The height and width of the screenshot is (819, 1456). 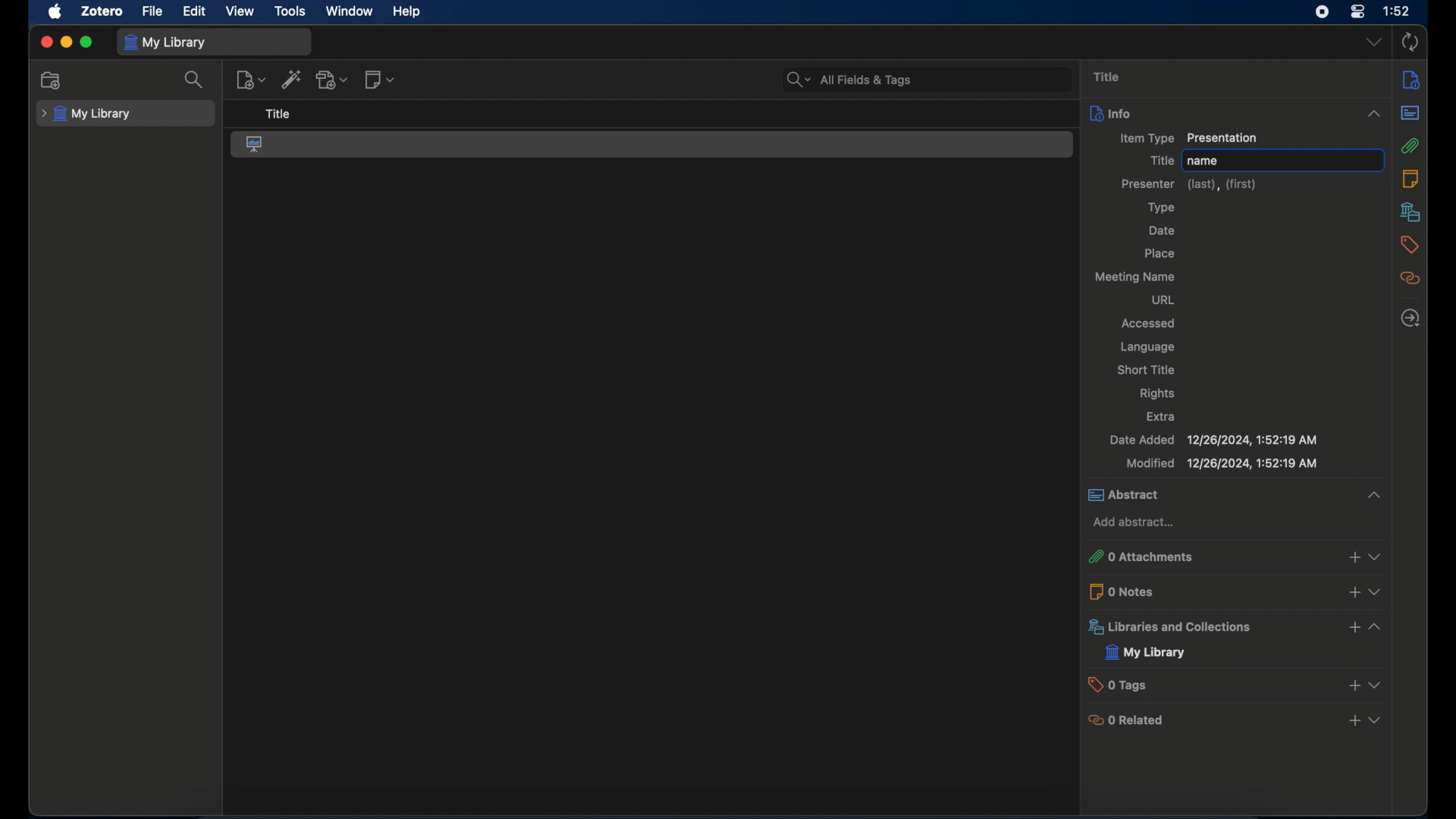 I want to click on window, so click(x=350, y=11).